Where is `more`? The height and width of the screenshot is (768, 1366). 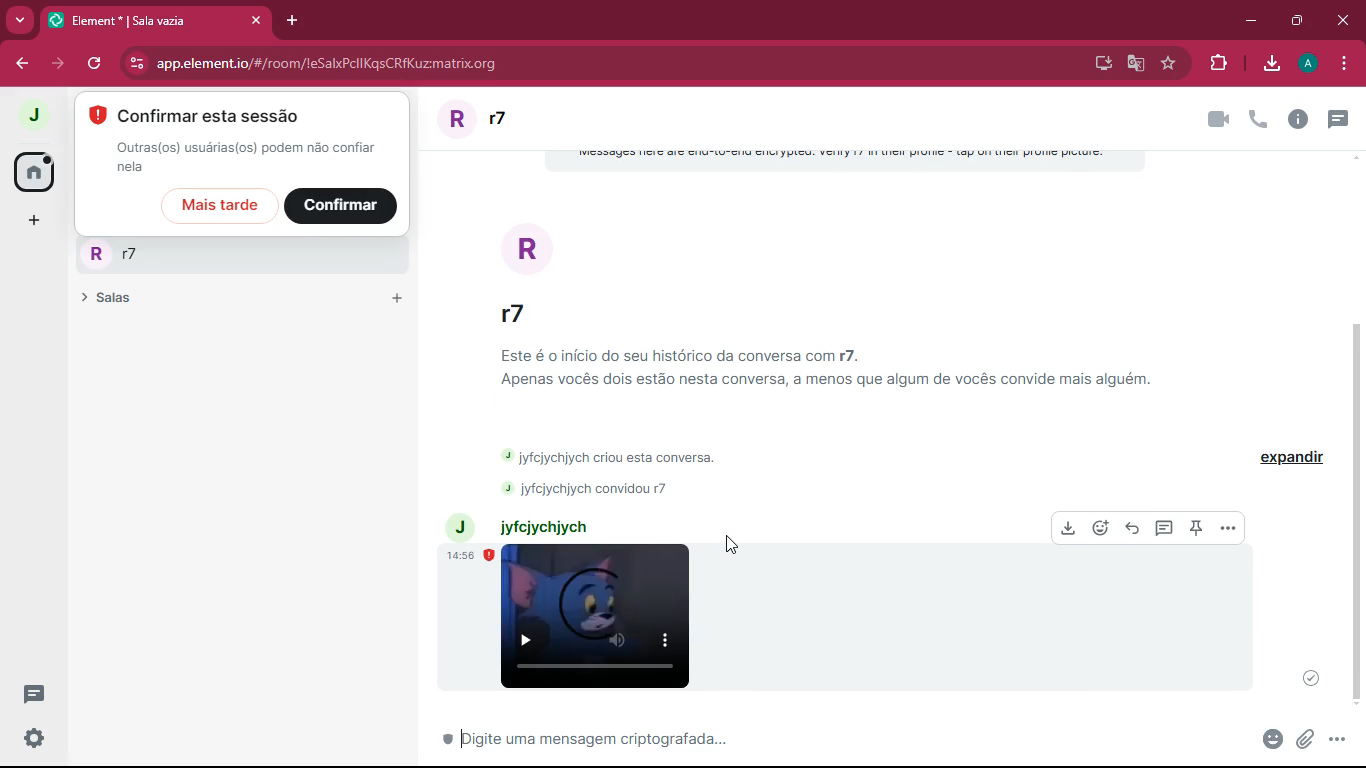
more is located at coordinates (31, 221).